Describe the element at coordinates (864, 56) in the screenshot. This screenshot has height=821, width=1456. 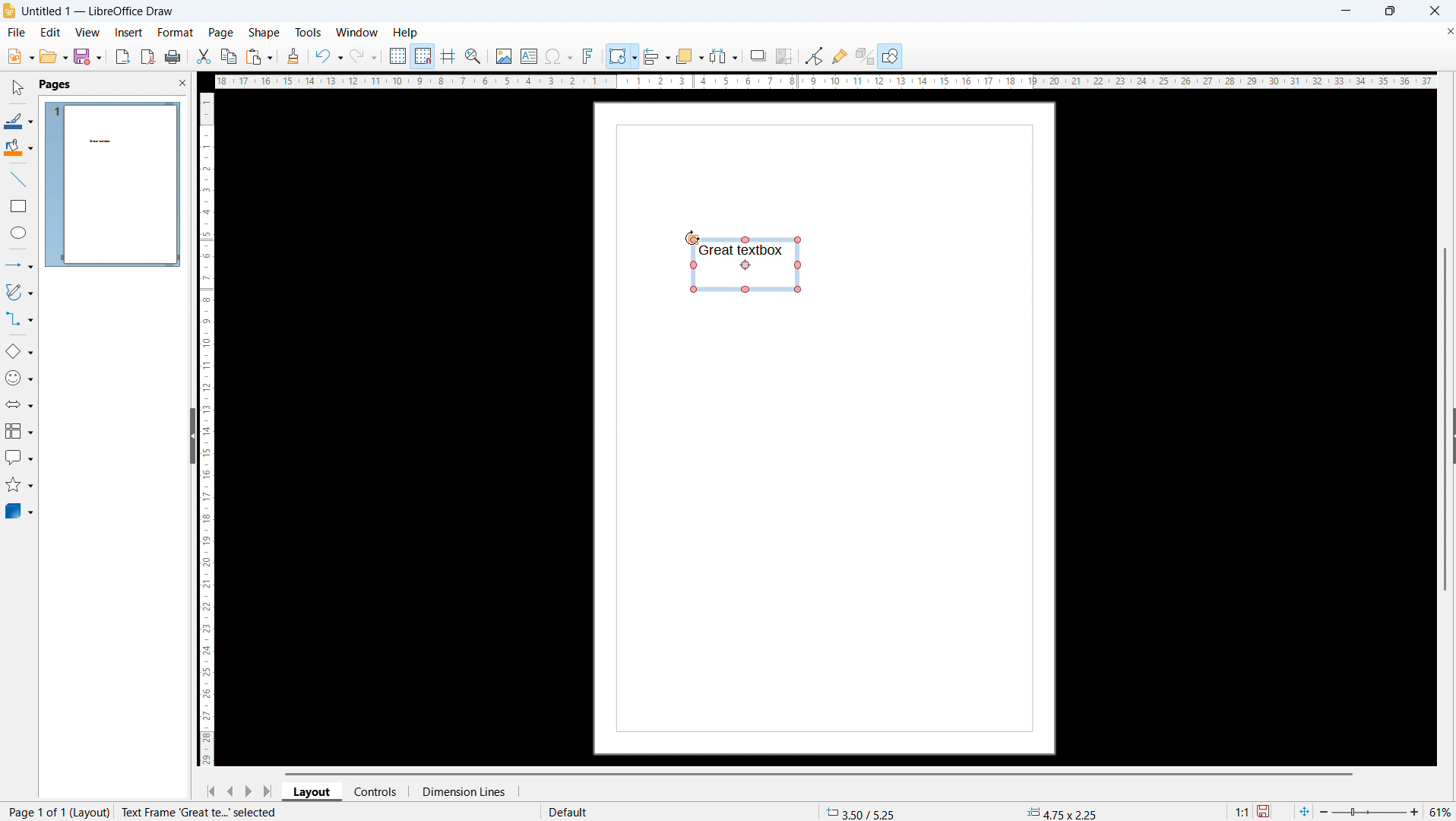
I see `toggle extrusion` at that location.